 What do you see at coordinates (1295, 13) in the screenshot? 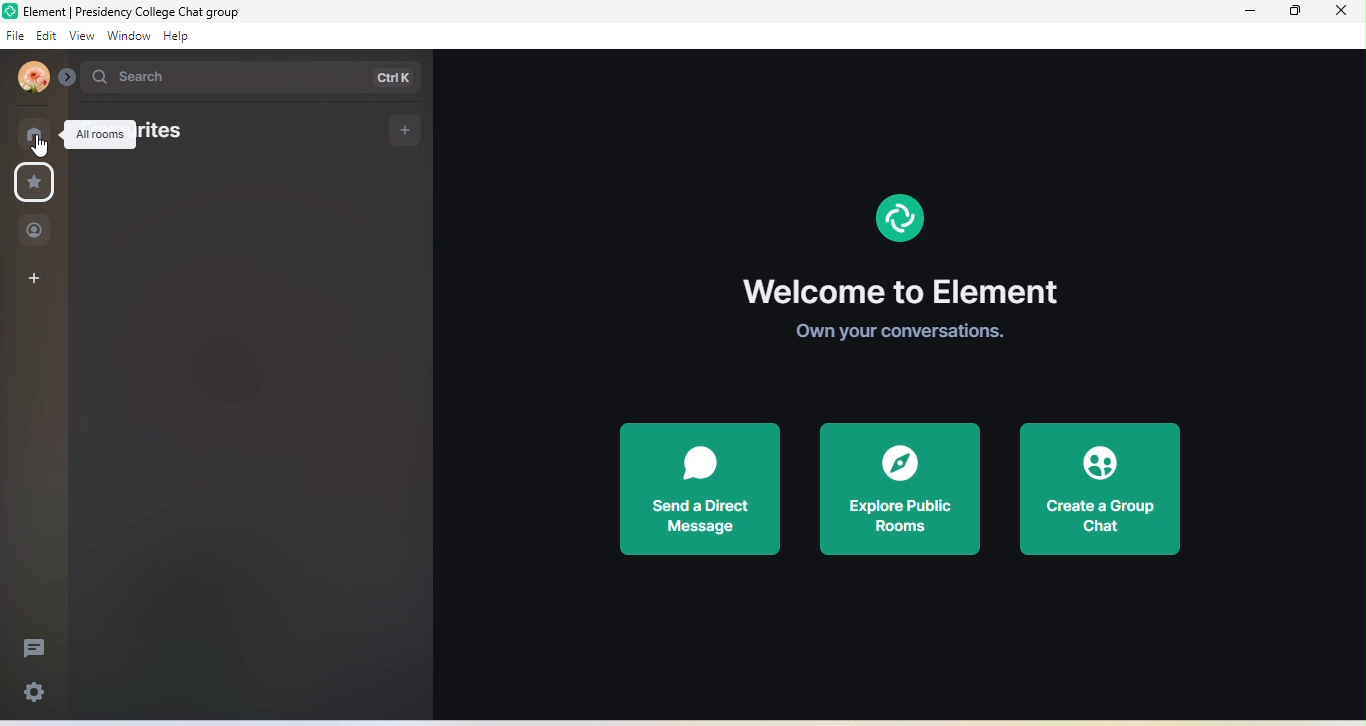
I see `maximize` at bounding box center [1295, 13].